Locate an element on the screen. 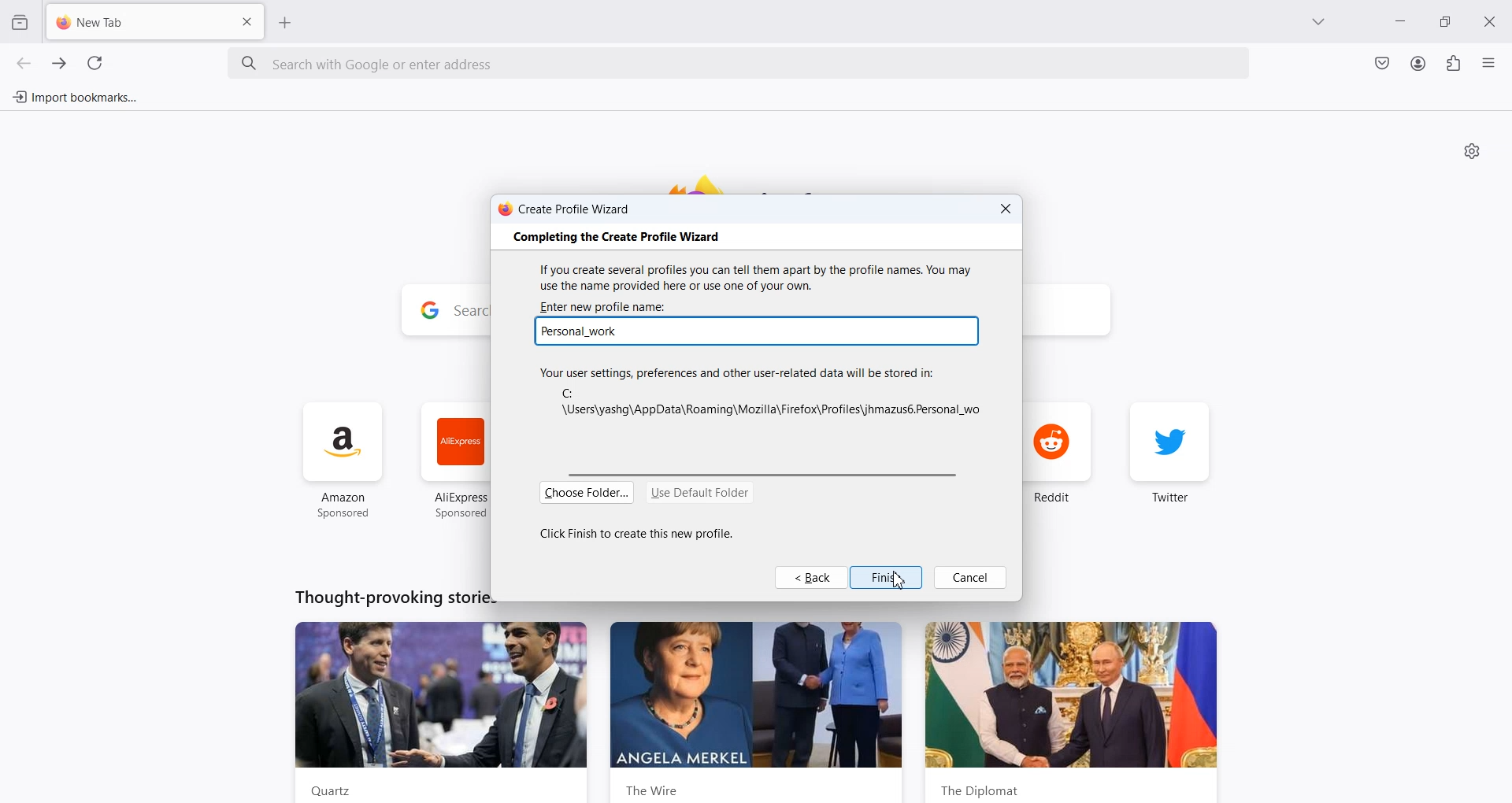 This screenshot has width=1512, height=803. Finish is located at coordinates (887, 576).